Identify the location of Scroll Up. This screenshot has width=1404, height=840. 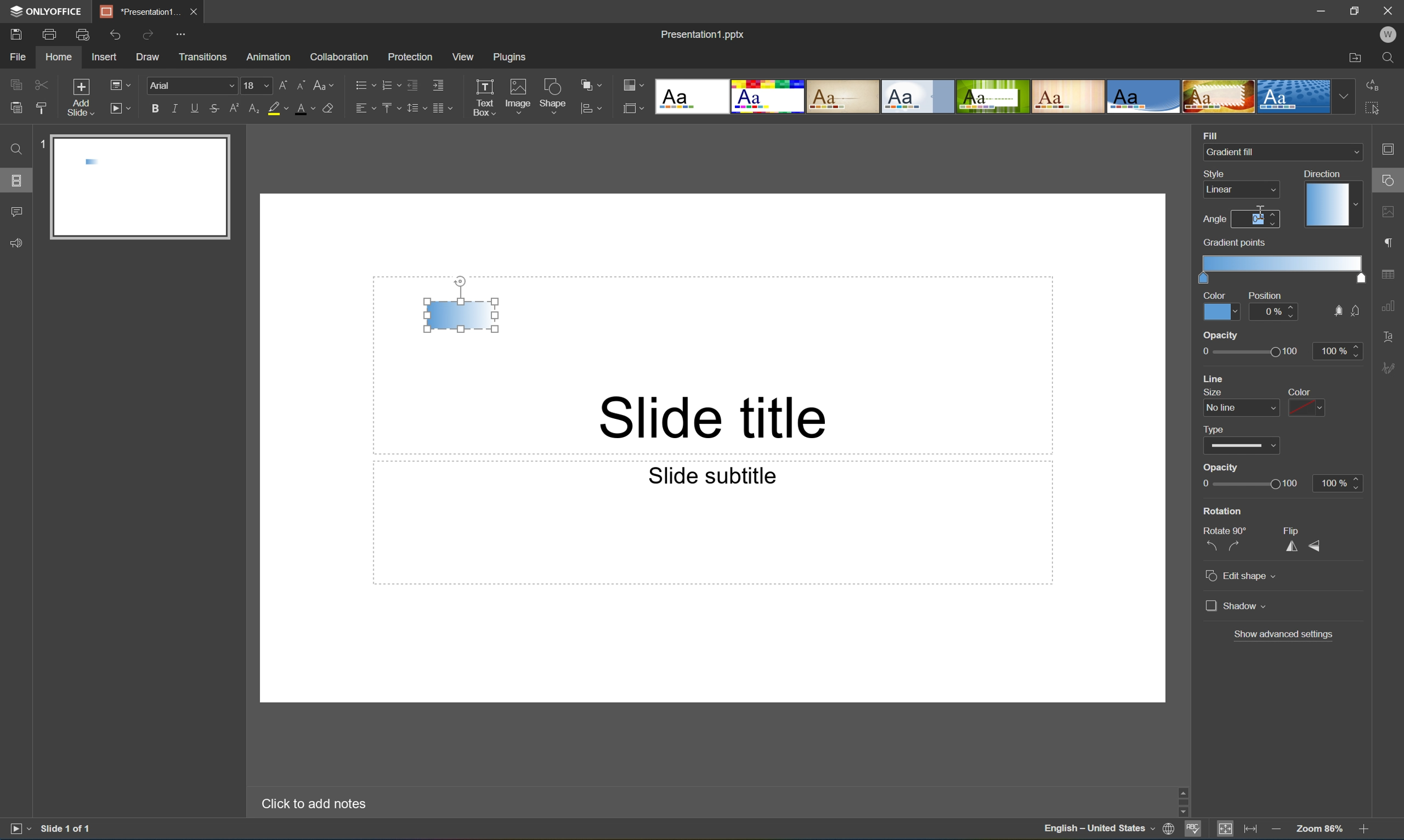
(1363, 786).